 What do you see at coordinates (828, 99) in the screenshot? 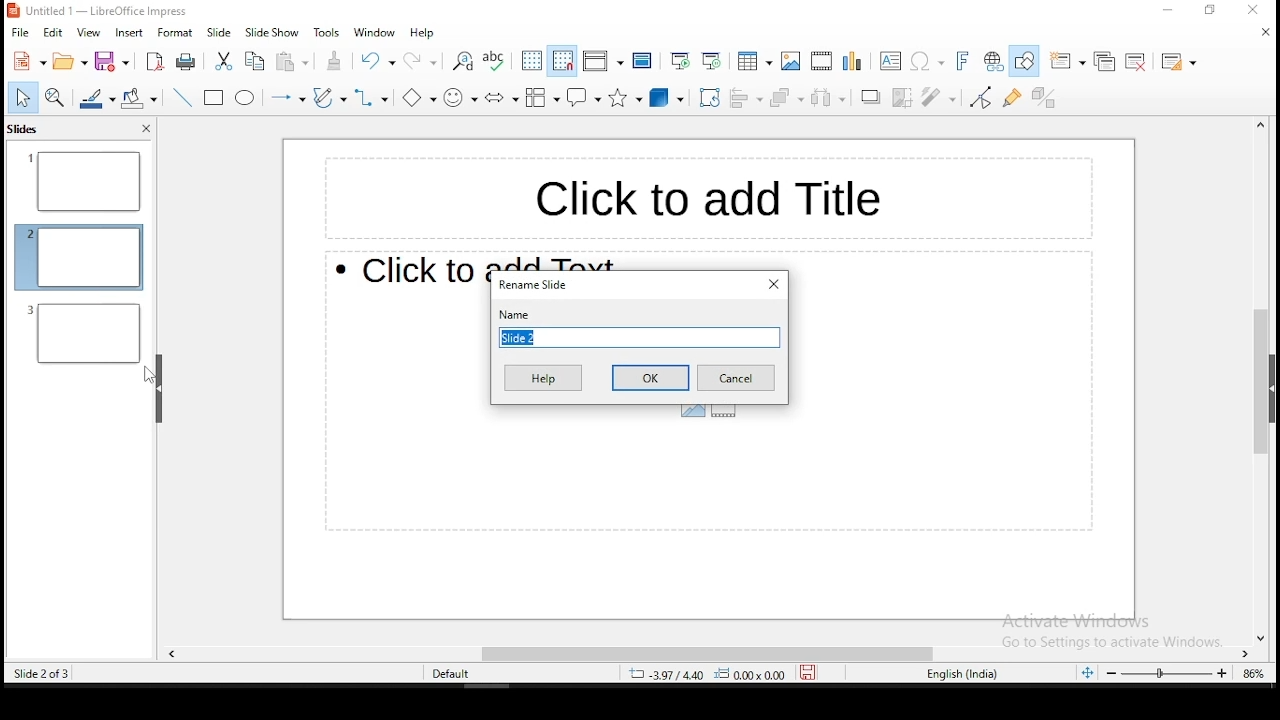
I see `distribute` at bounding box center [828, 99].